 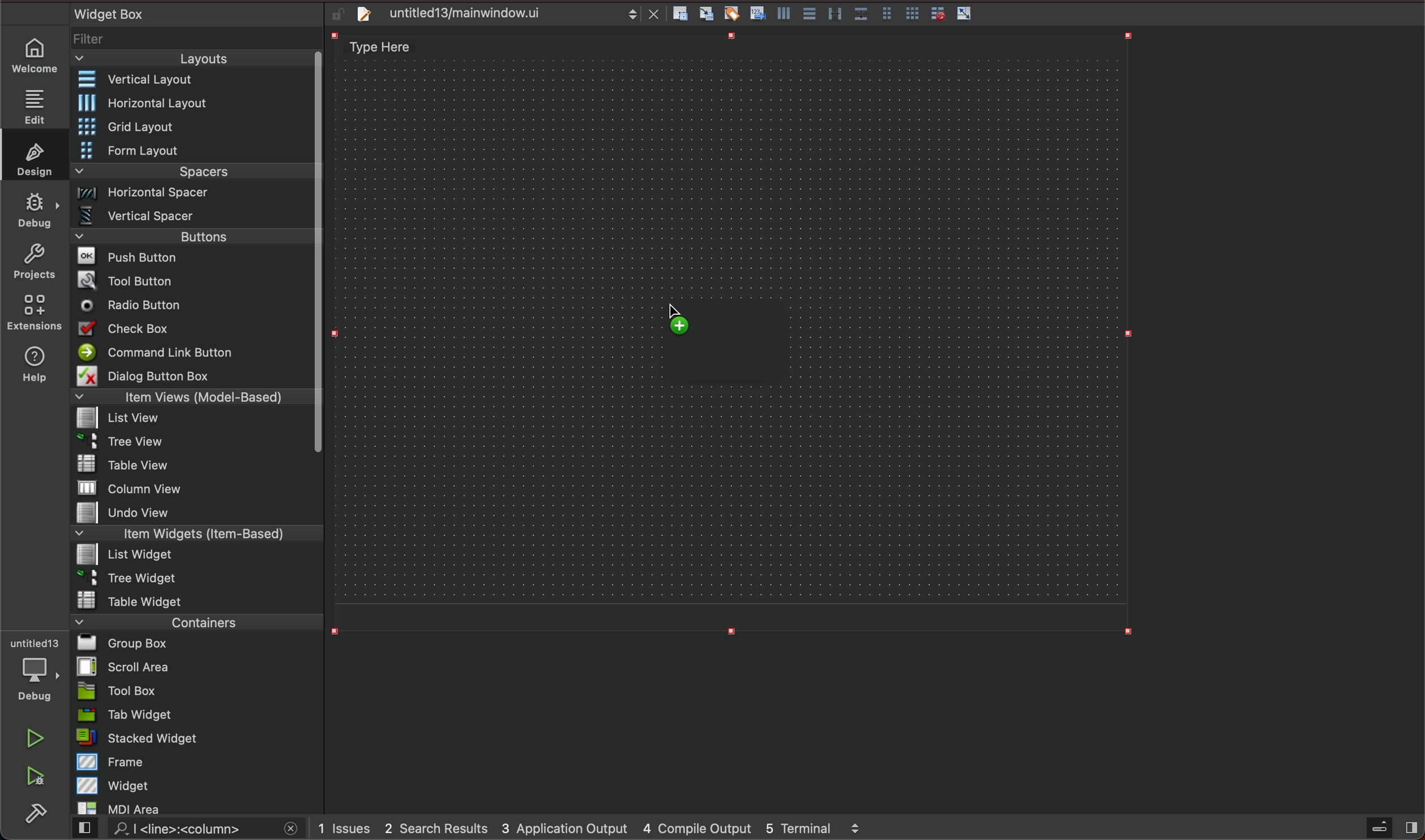 What do you see at coordinates (196, 621) in the screenshot?
I see `containers` at bounding box center [196, 621].